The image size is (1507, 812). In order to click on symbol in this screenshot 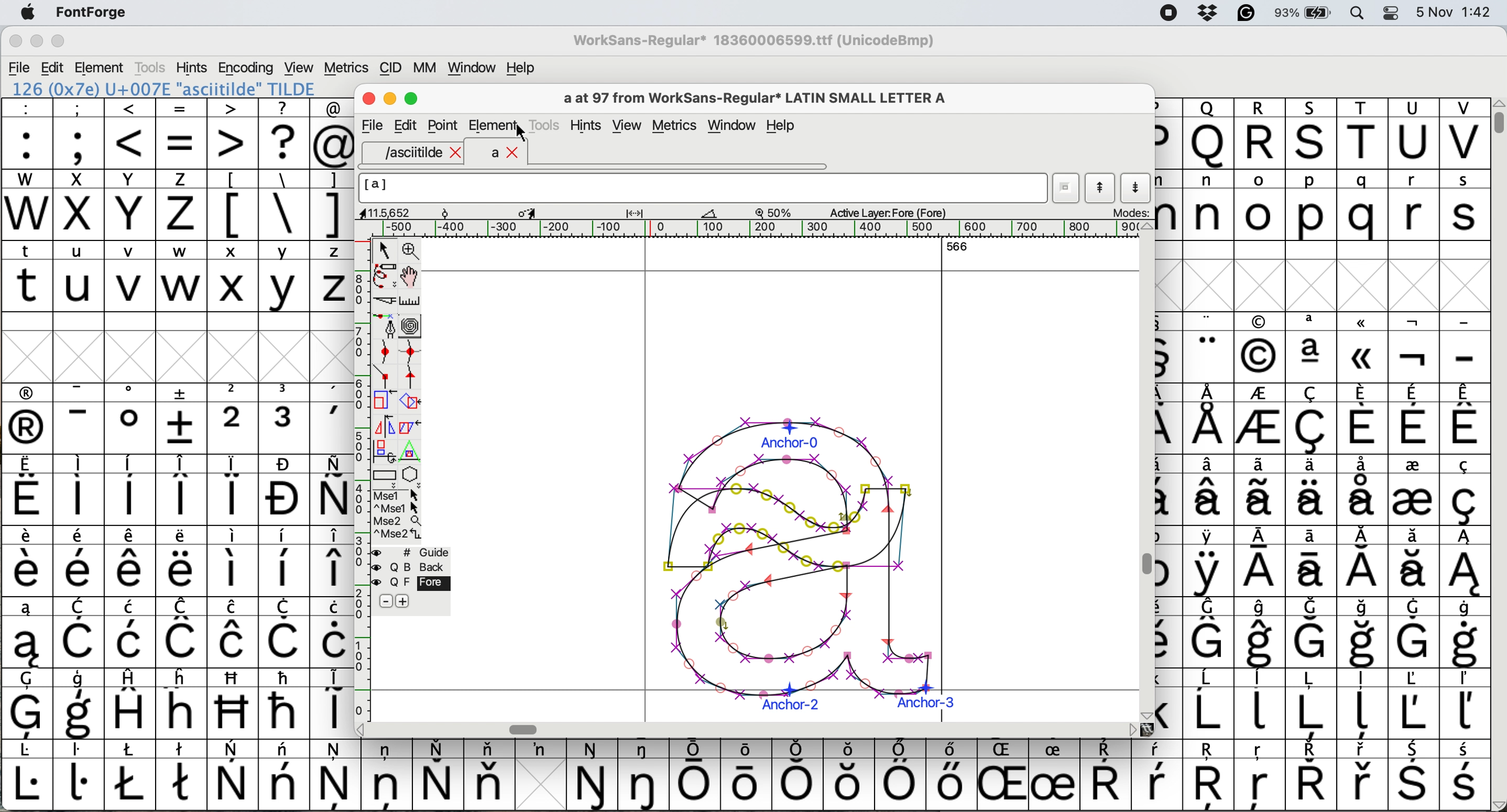, I will do `click(80, 705)`.